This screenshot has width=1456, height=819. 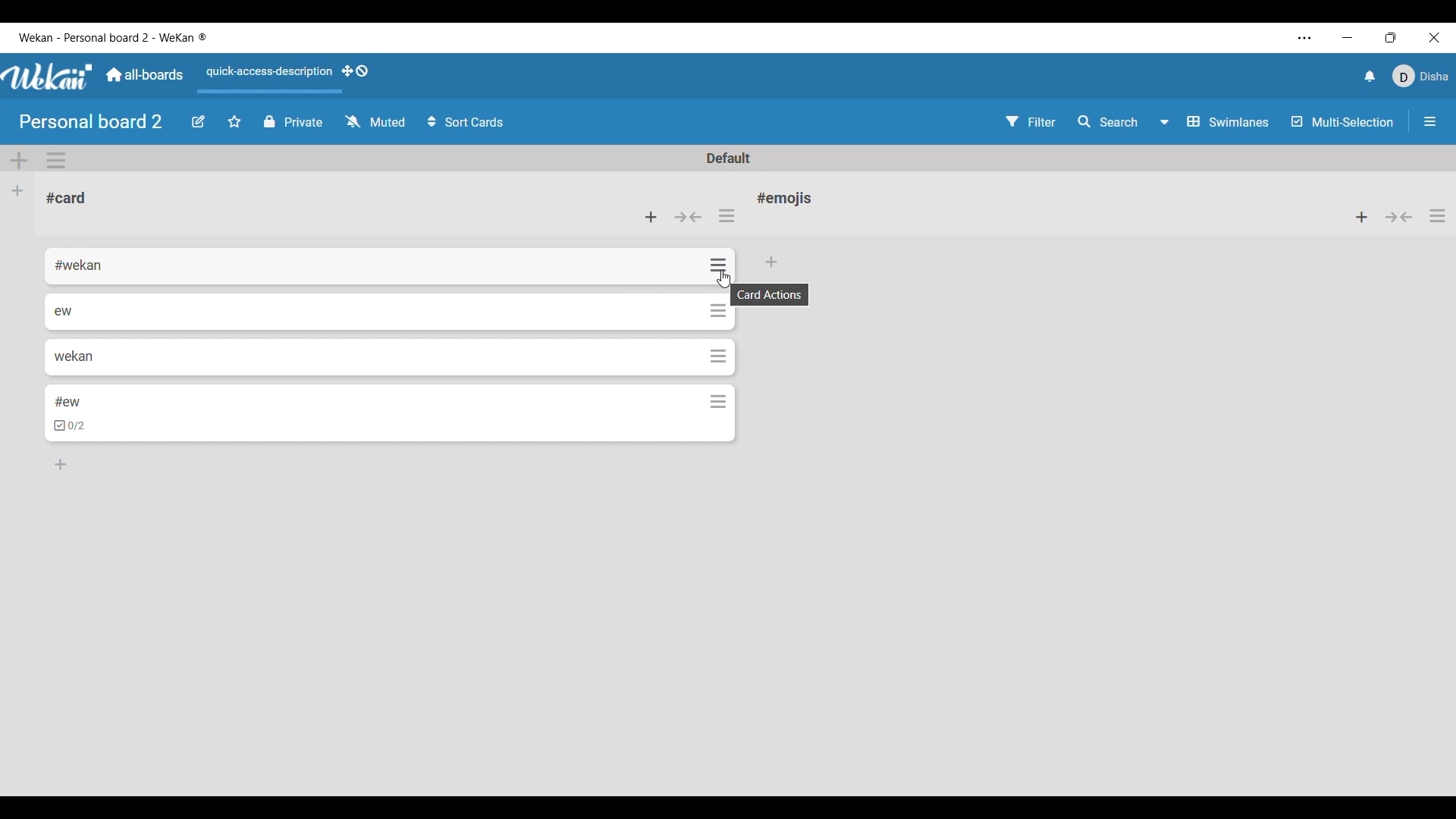 I want to click on Software logo, so click(x=48, y=77).